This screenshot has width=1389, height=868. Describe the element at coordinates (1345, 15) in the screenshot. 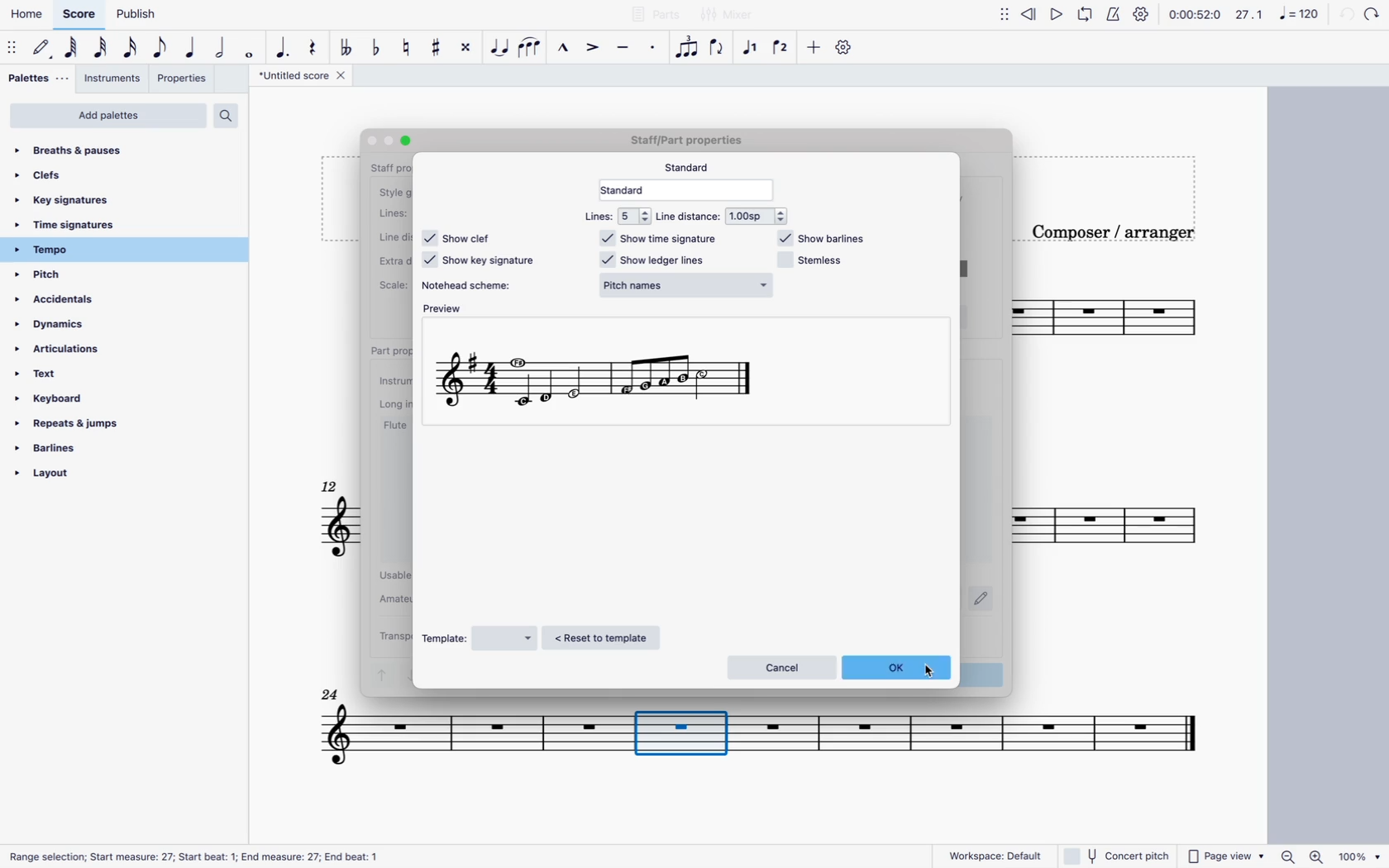

I see `back` at that location.